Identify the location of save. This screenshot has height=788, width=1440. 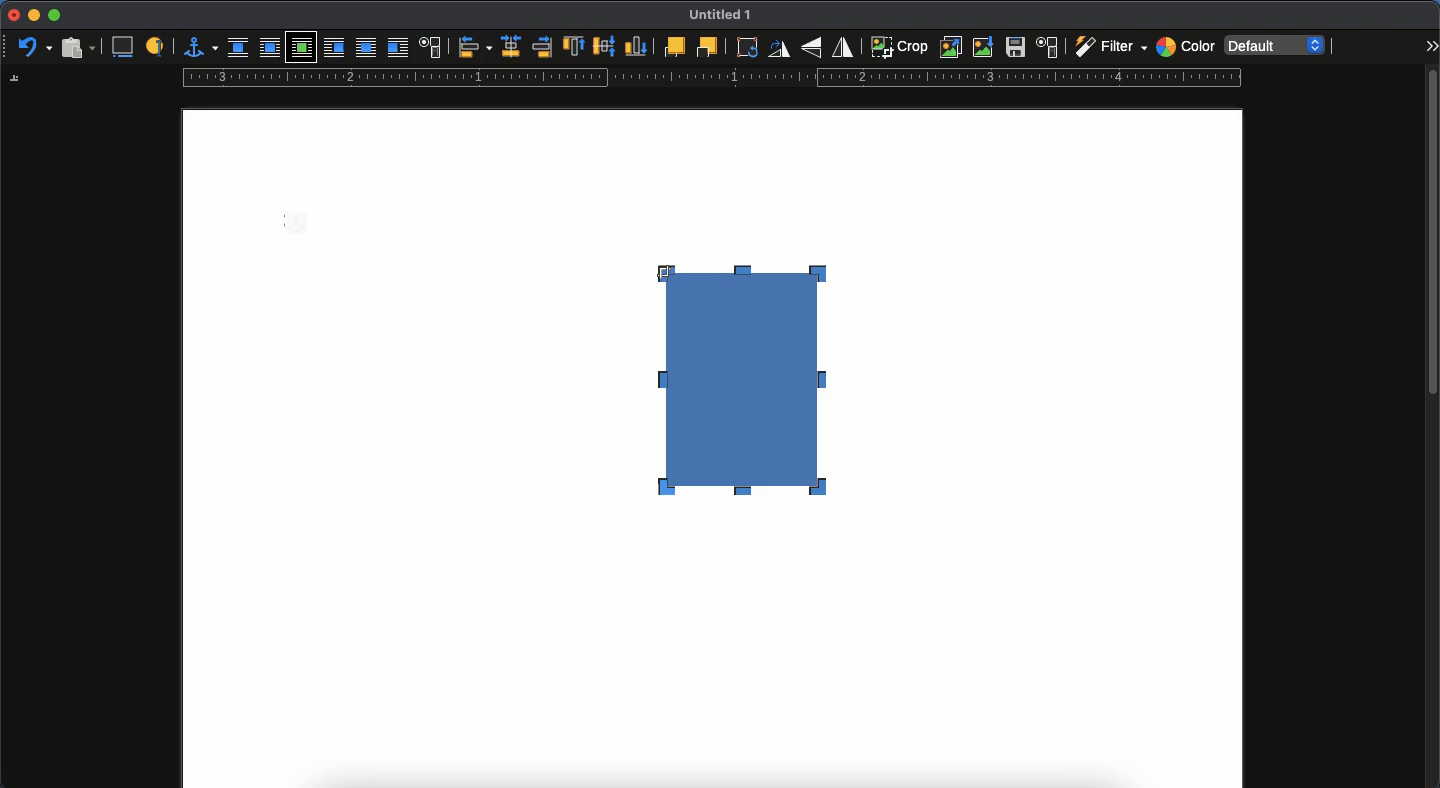
(1016, 50).